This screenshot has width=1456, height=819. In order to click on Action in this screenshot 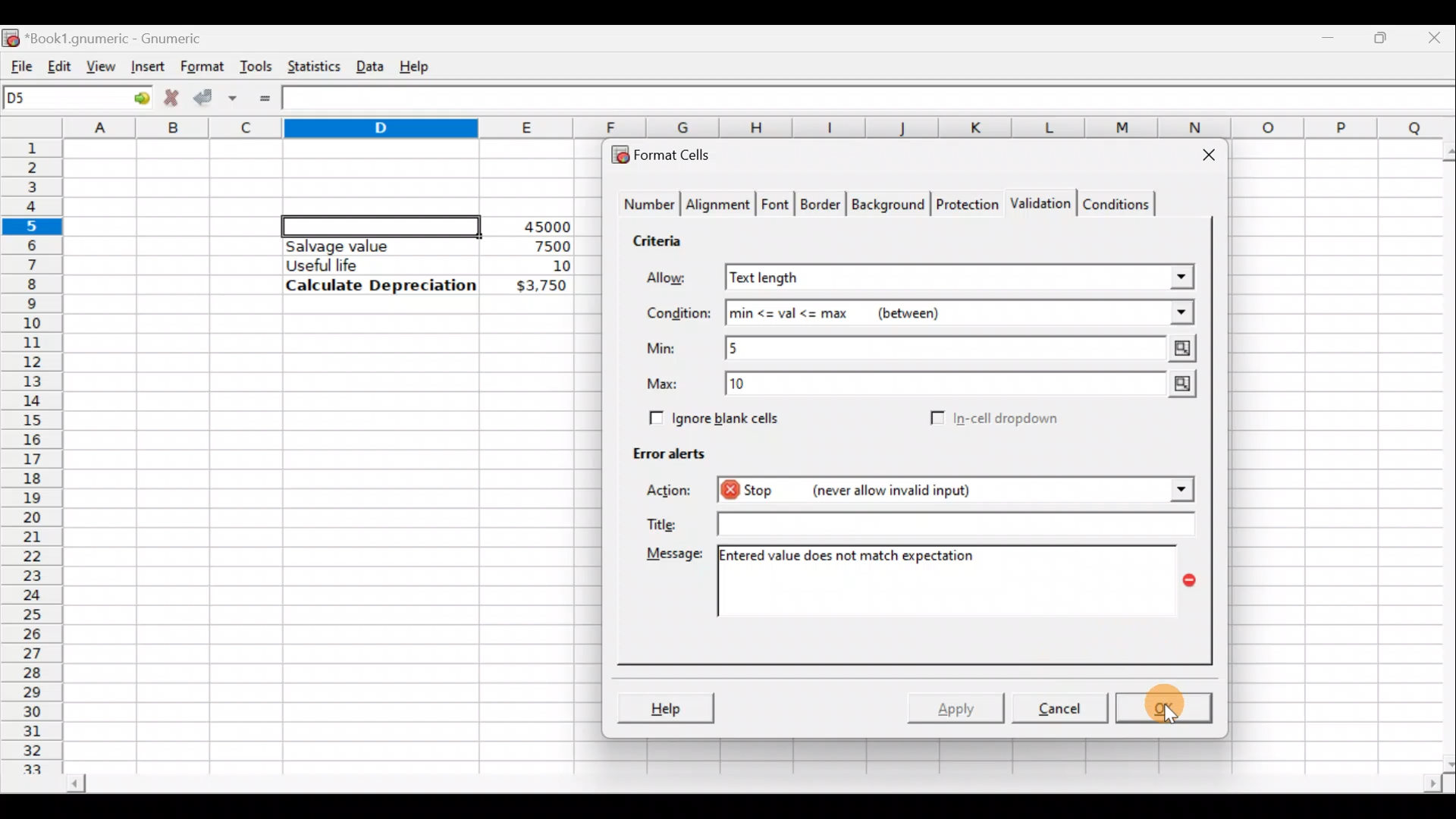, I will do `click(673, 493)`.